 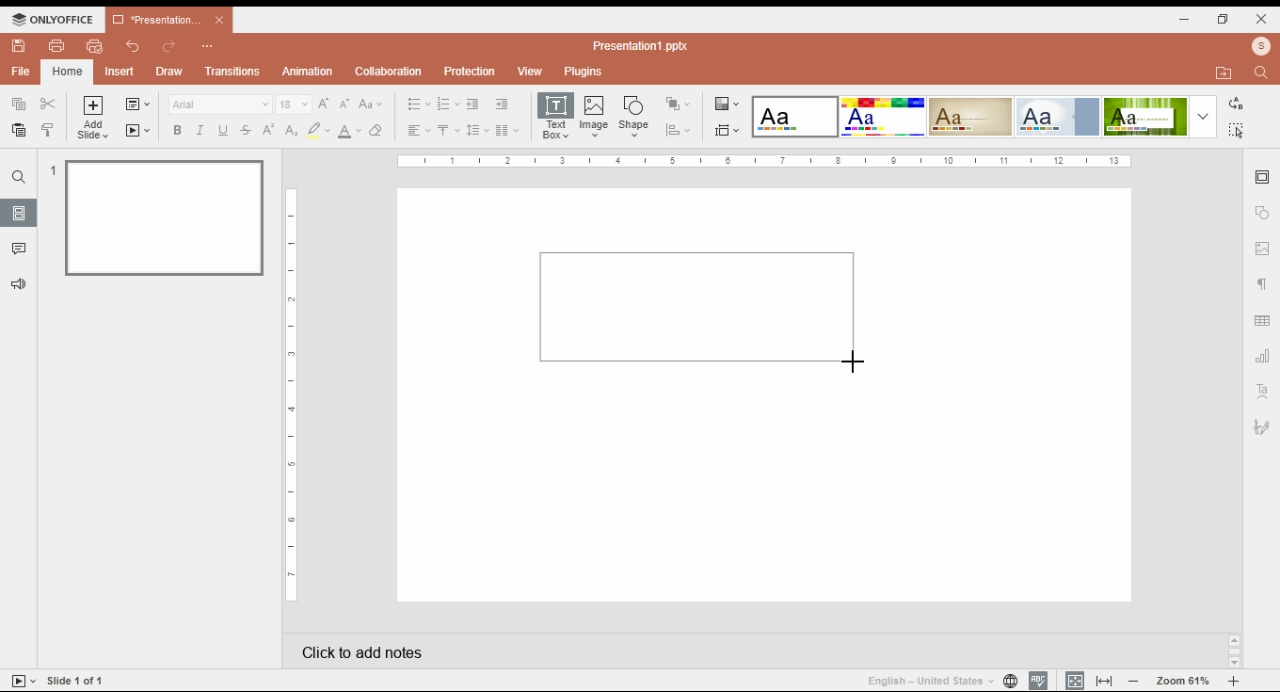 I want to click on scroll down, so click(x=1234, y=663).